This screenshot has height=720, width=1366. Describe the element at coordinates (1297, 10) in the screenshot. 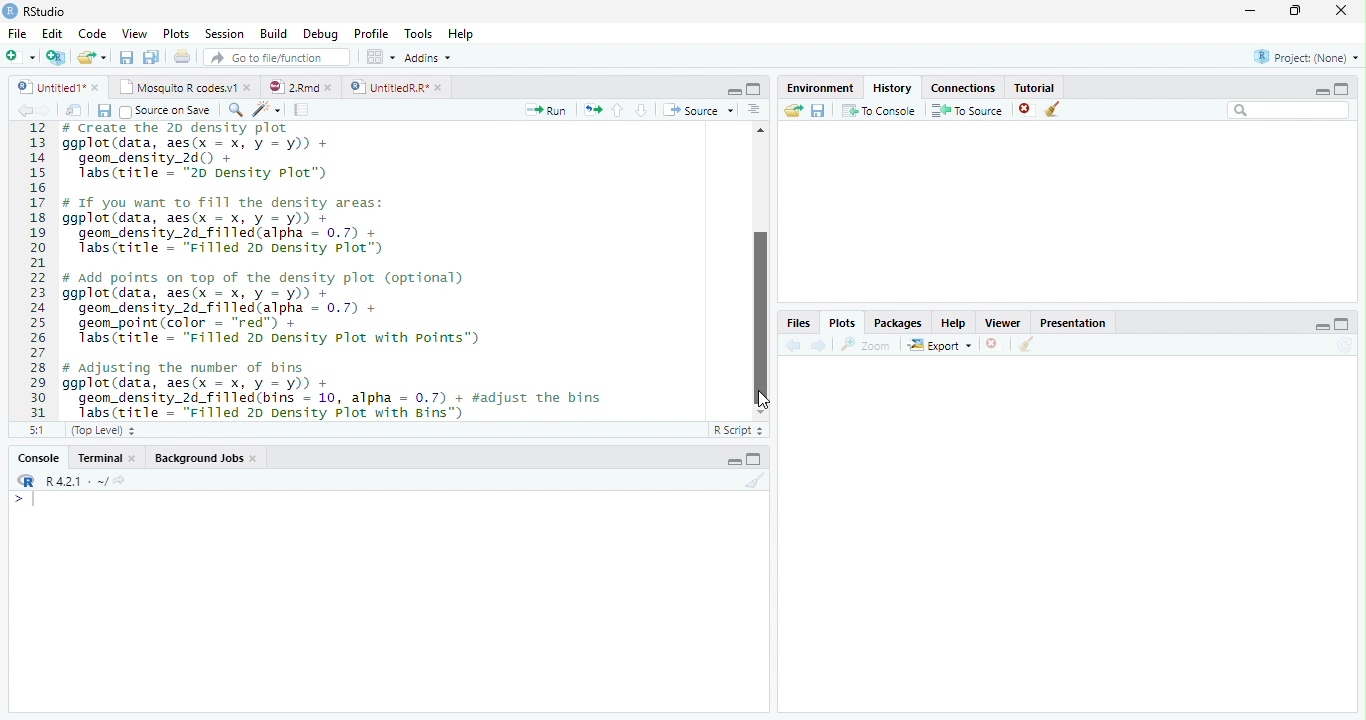

I see `maximize` at that location.